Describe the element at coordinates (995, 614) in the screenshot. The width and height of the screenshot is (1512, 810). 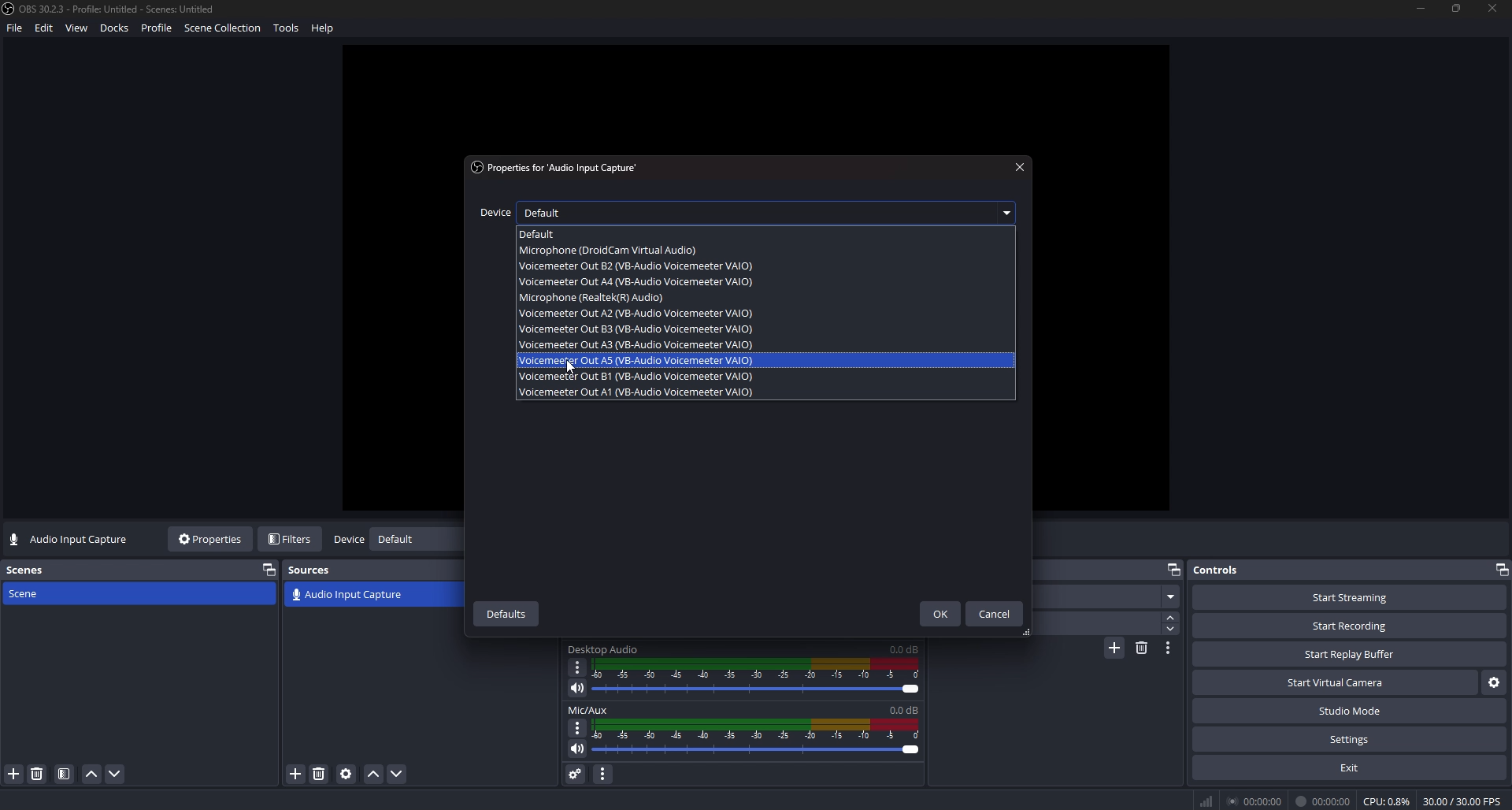
I see `cancel` at that location.